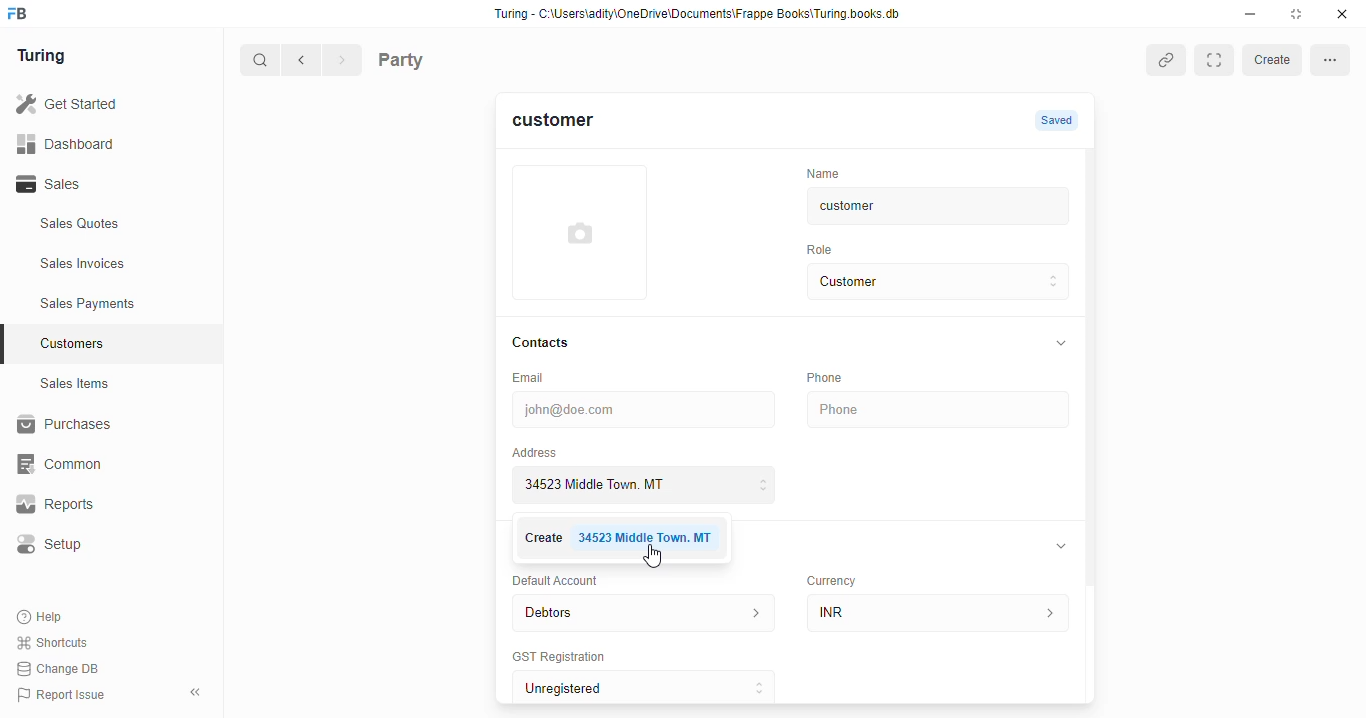 This screenshot has height=718, width=1366. What do you see at coordinates (547, 342) in the screenshot?
I see `Contacts` at bounding box center [547, 342].